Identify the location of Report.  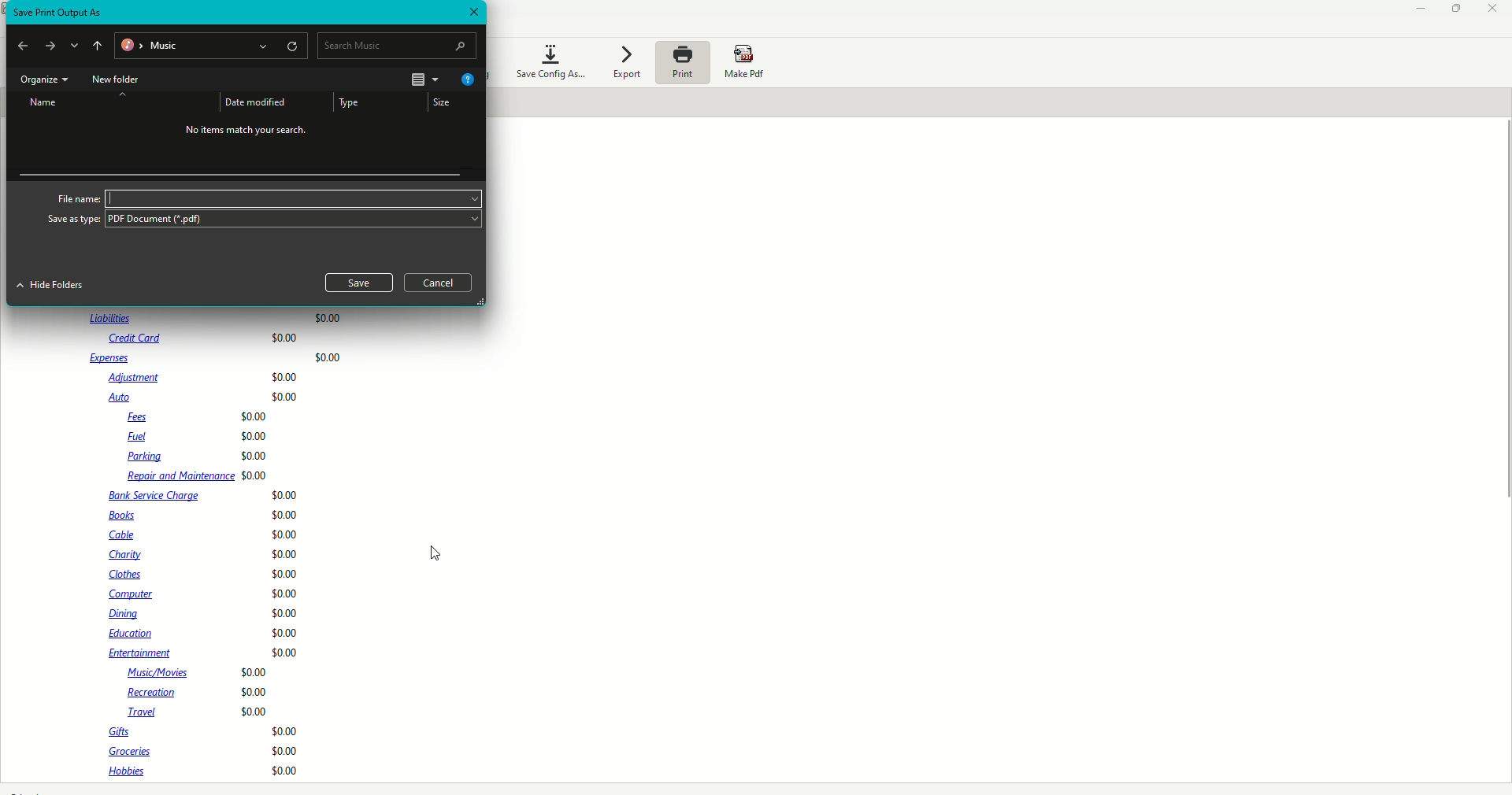
(125, 198).